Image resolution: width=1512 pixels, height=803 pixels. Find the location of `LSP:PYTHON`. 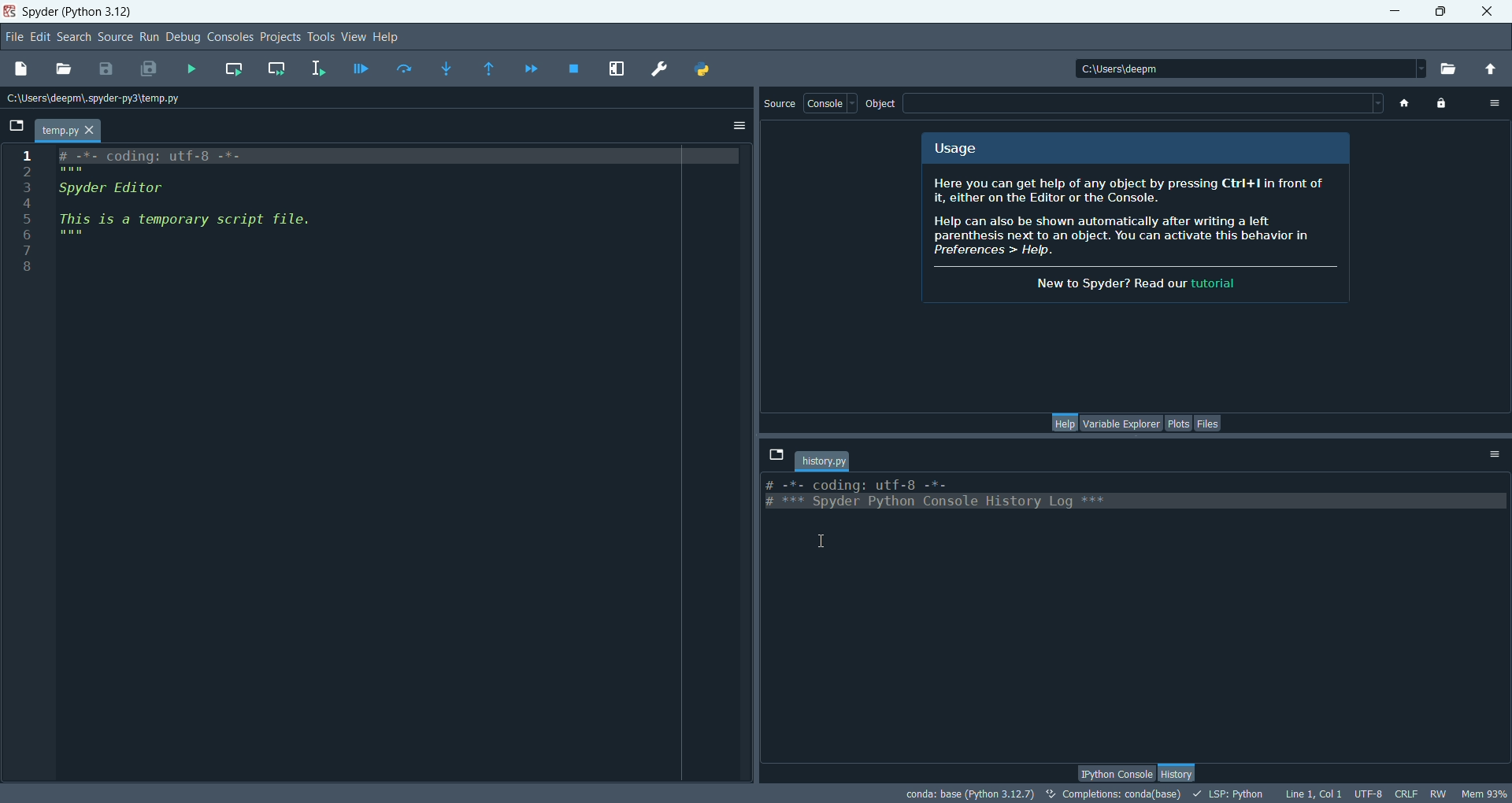

LSP:PYTHON is located at coordinates (1223, 794).